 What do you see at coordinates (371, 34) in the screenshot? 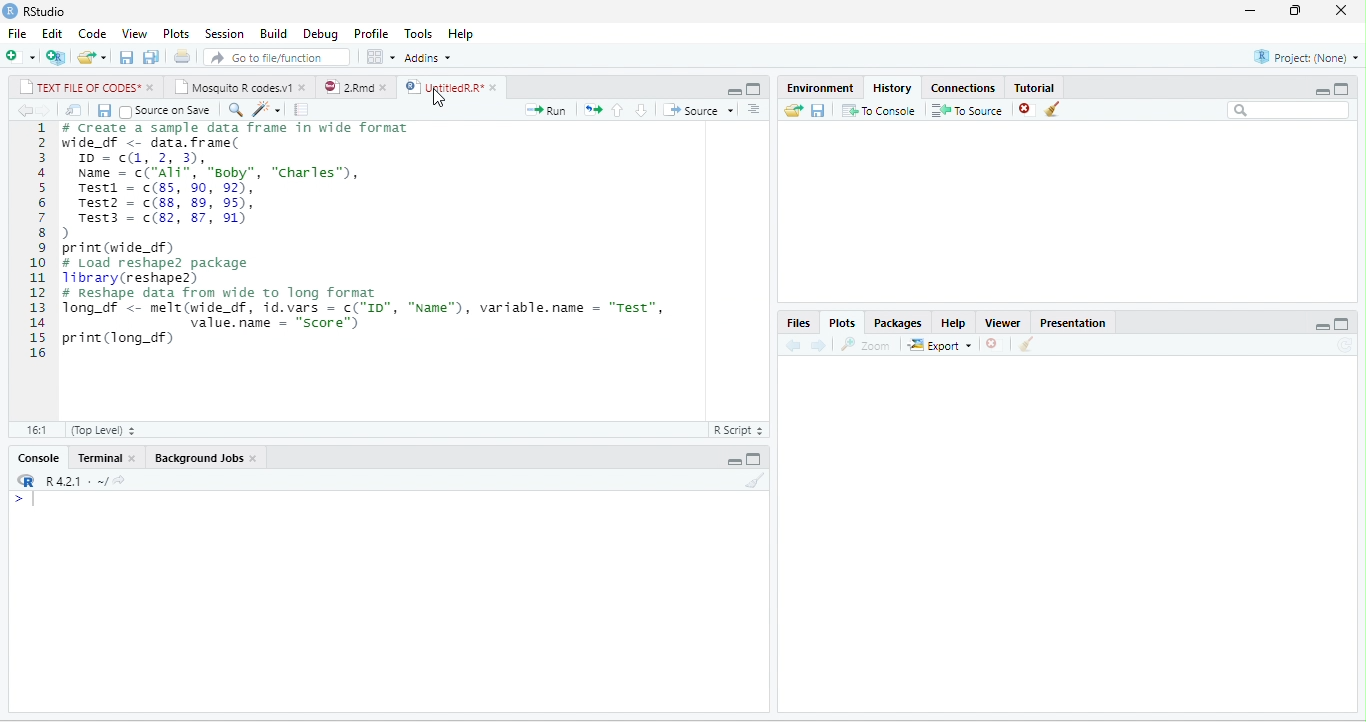
I see `Profile` at bounding box center [371, 34].